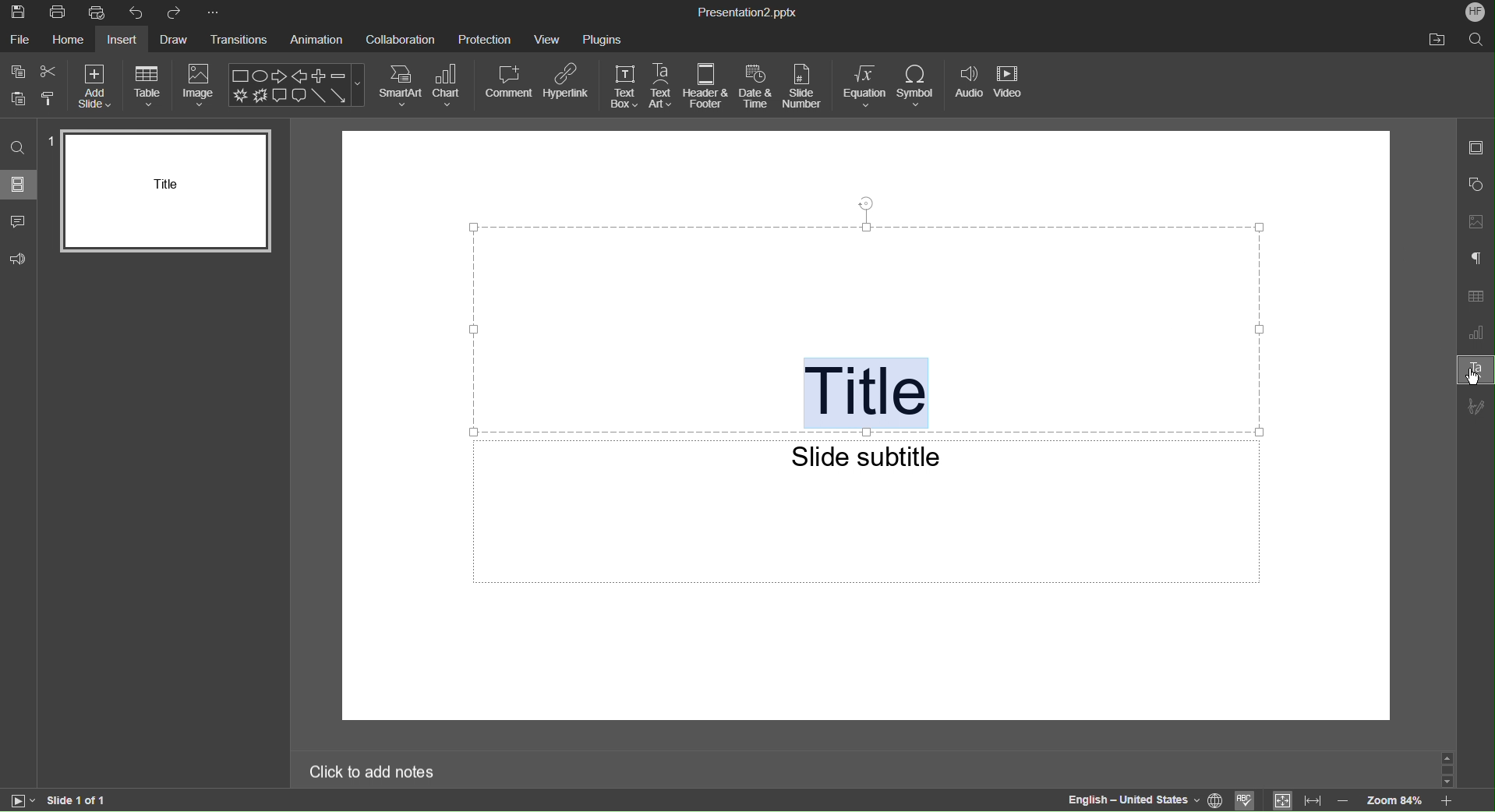  What do you see at coordinates (1476, 404) in the screenshot?
I see `Signature` at bounding box center [1476, 404].